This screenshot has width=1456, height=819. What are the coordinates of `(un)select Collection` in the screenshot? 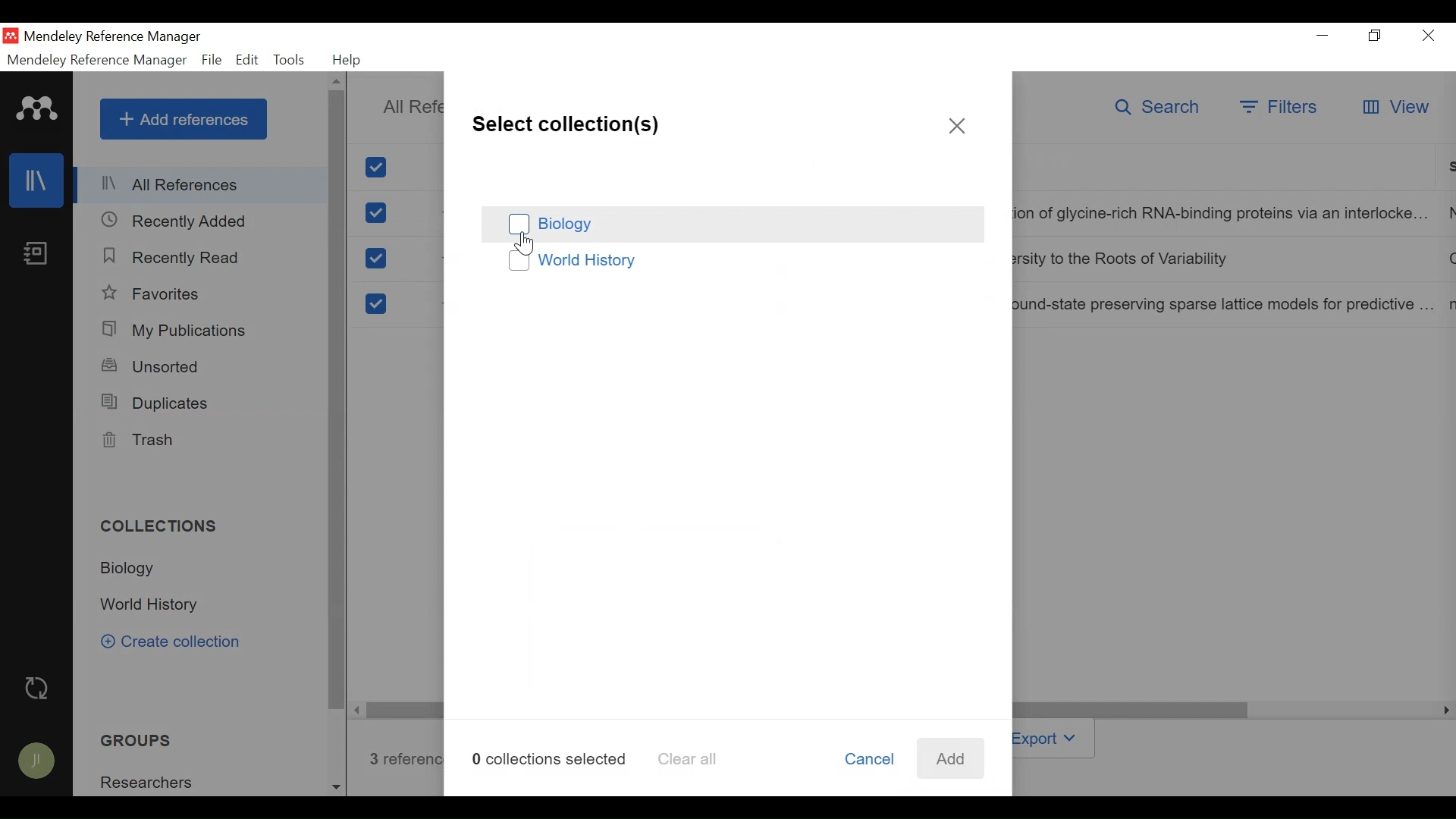 It's located at (733, 262).